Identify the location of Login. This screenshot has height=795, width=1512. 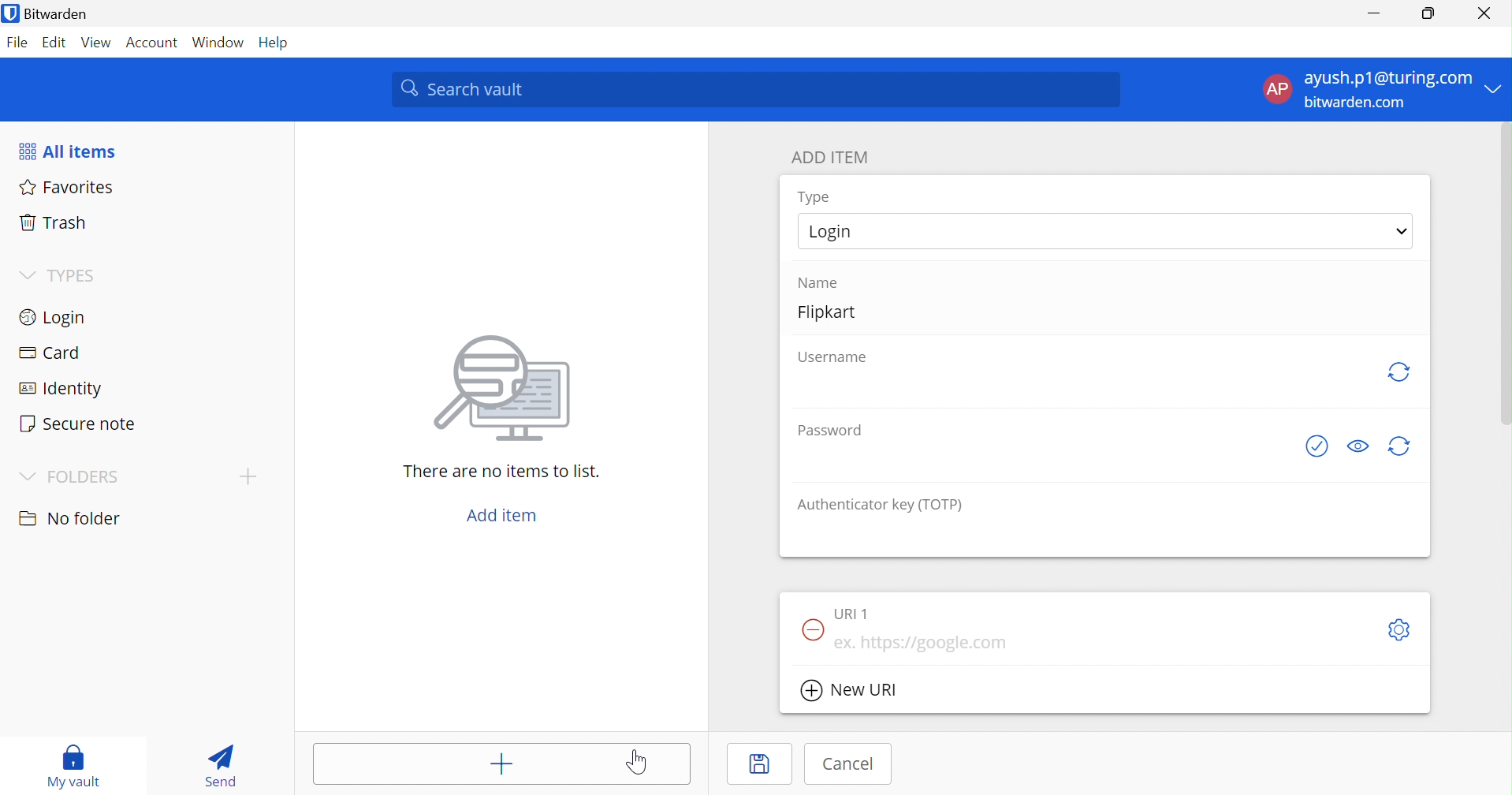
(832, 233).